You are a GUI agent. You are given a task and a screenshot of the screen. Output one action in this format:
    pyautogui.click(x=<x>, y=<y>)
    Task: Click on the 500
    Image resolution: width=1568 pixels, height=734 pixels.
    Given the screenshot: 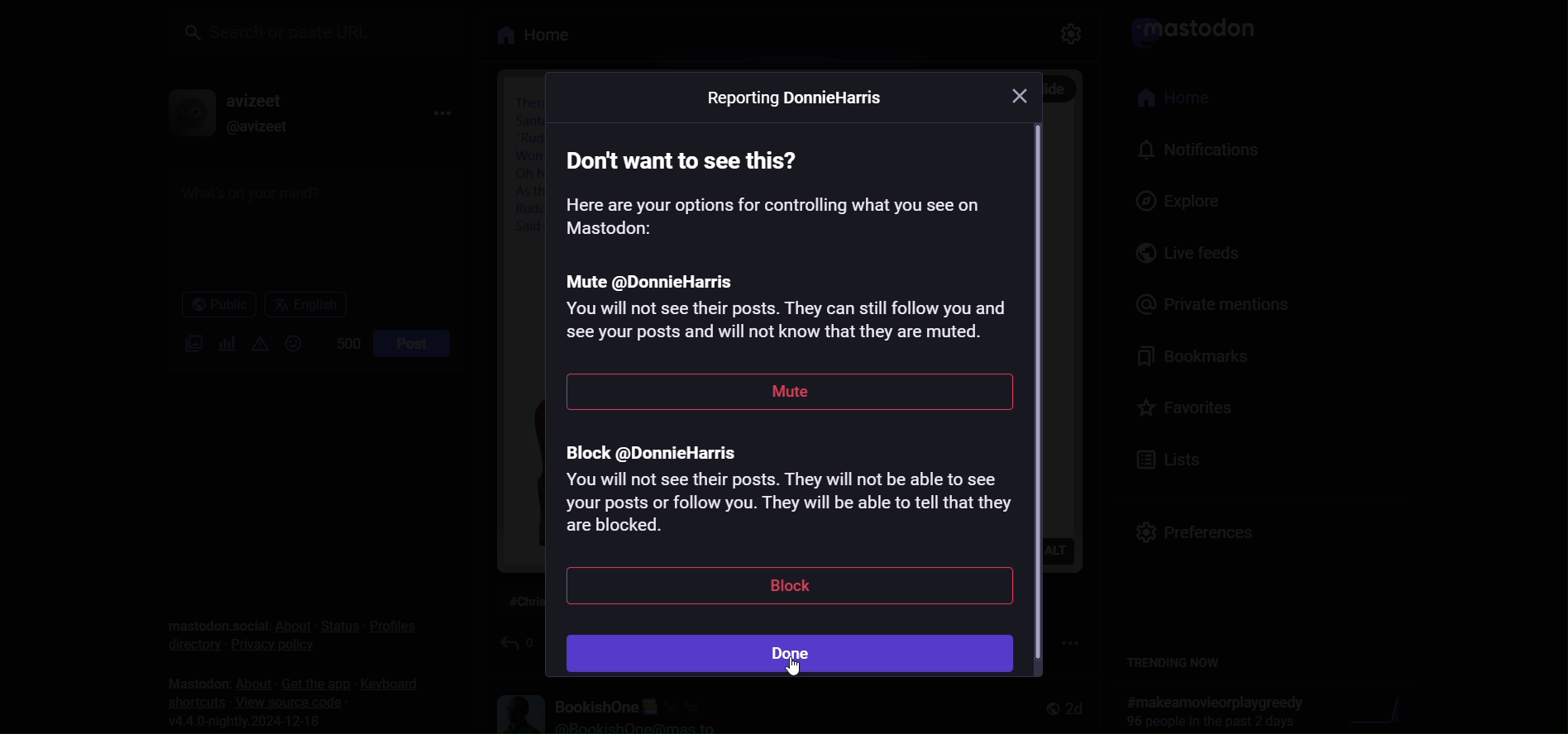 What is the action you would take?
    pyautogui.click(x=338, y=342)
    